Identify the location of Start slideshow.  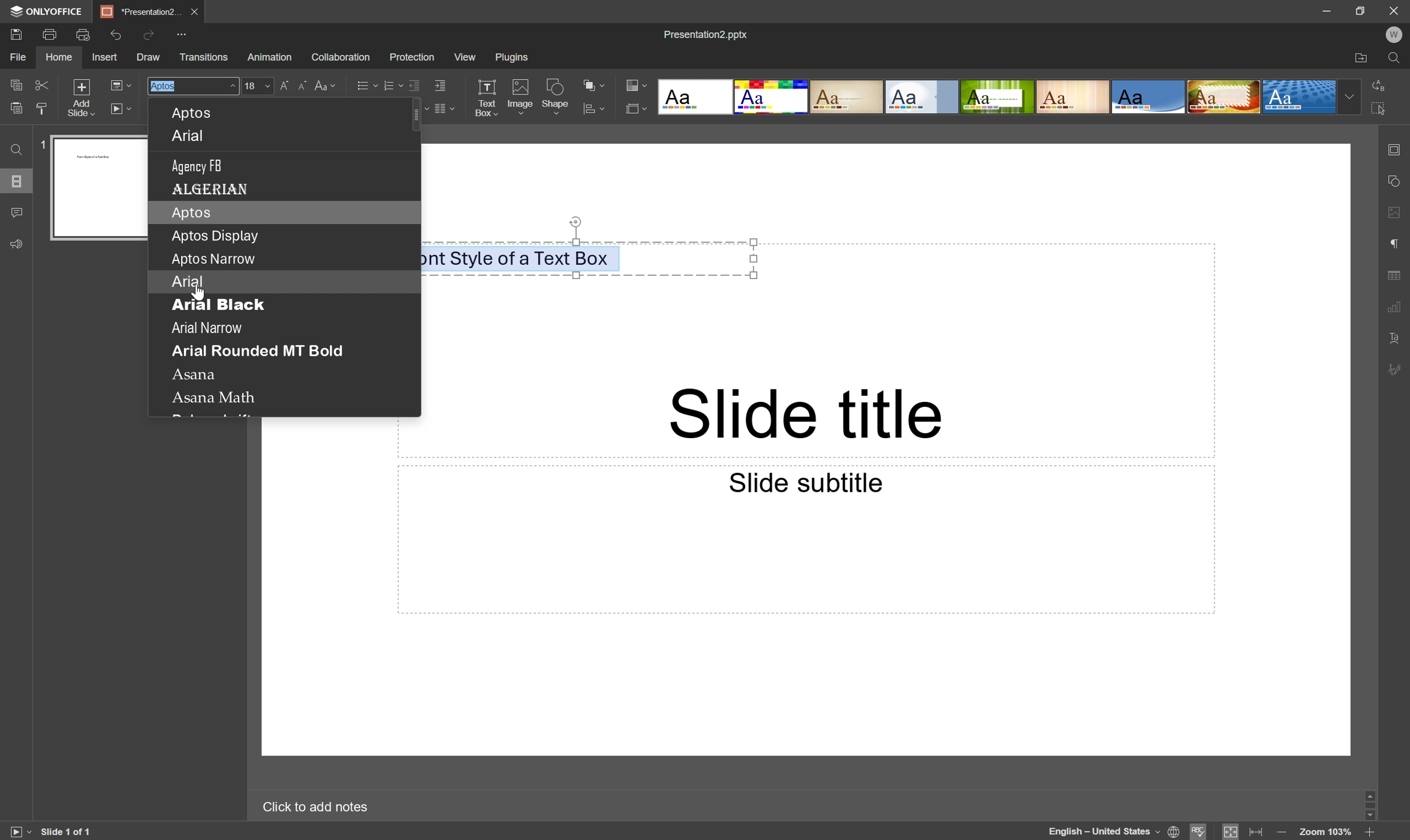
(123, 109).